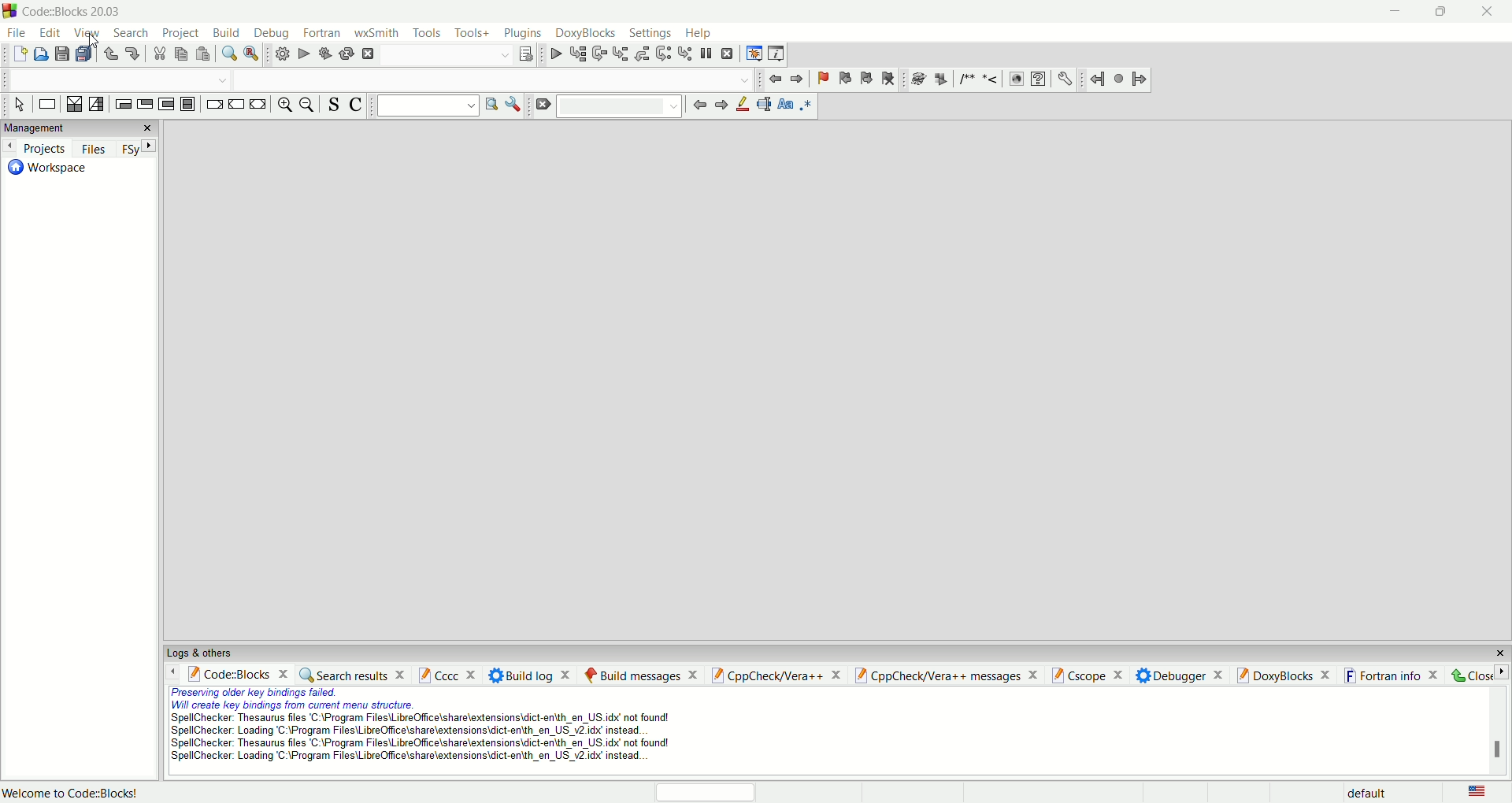 The image size is (1512, 803). Describe the element at coordinates (576, 54) in the screenshot. I see `run to cursor` at that location.